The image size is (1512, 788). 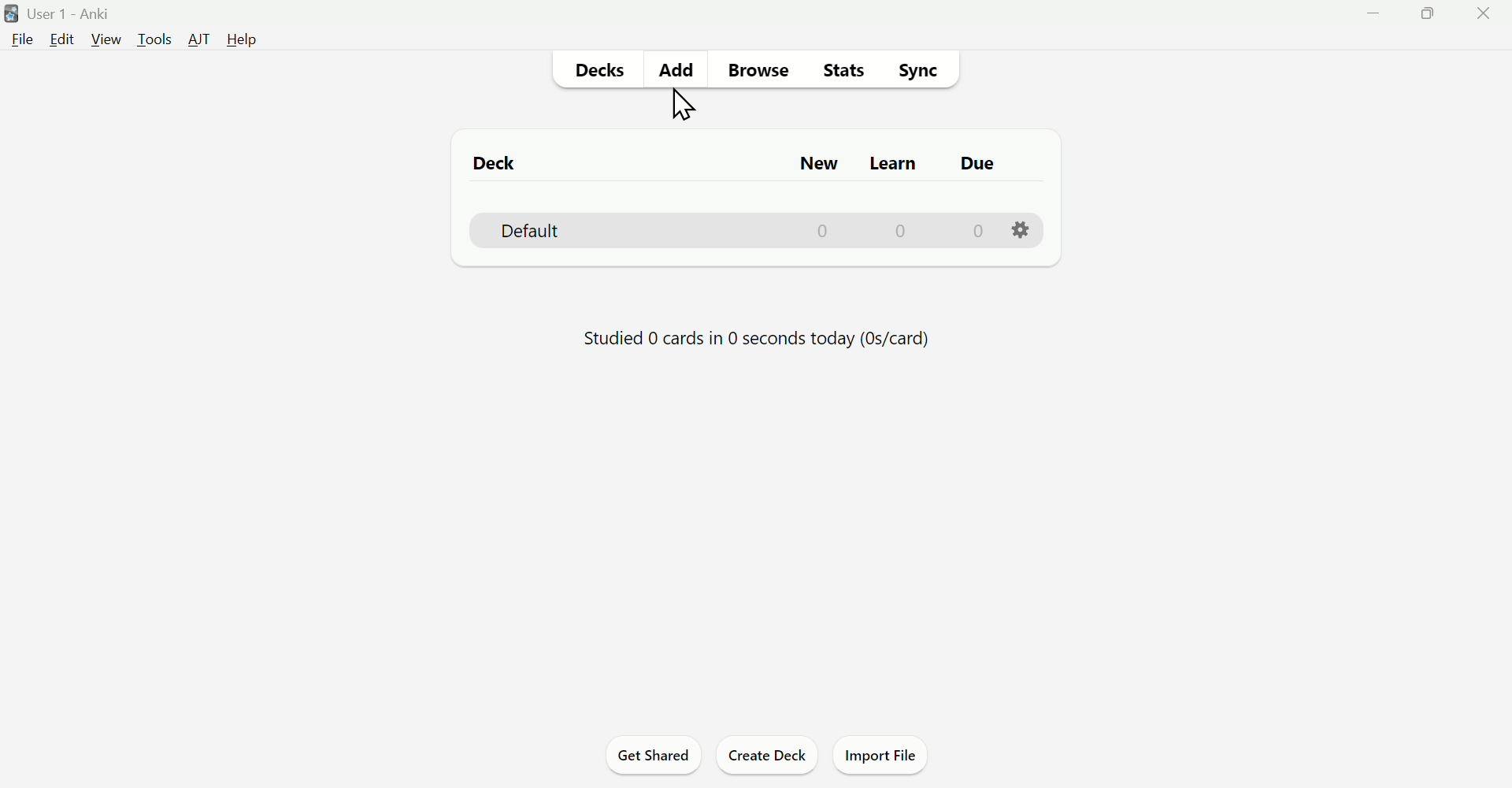 I want to click on 0, so click(x=976, y=231).